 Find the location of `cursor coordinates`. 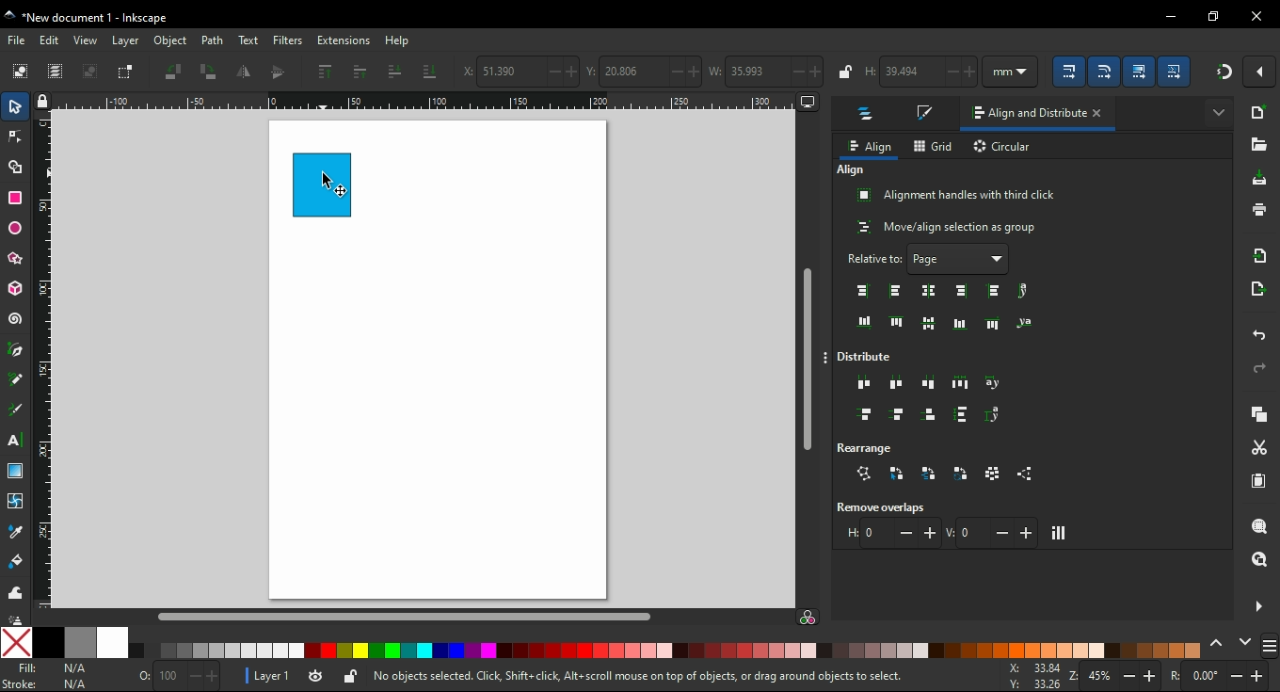

cursor coordinates is located at coordinates (1030, 675).